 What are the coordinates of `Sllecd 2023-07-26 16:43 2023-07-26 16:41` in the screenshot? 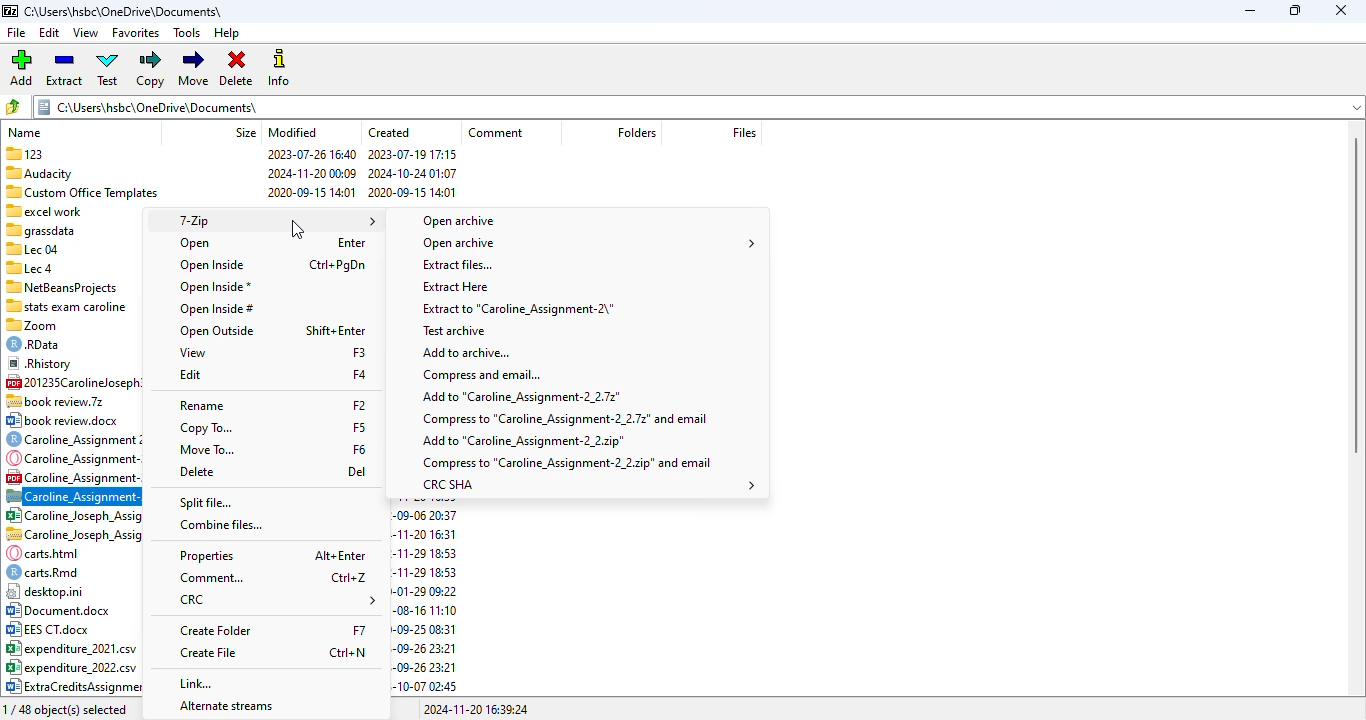 It's located at (71, 267).